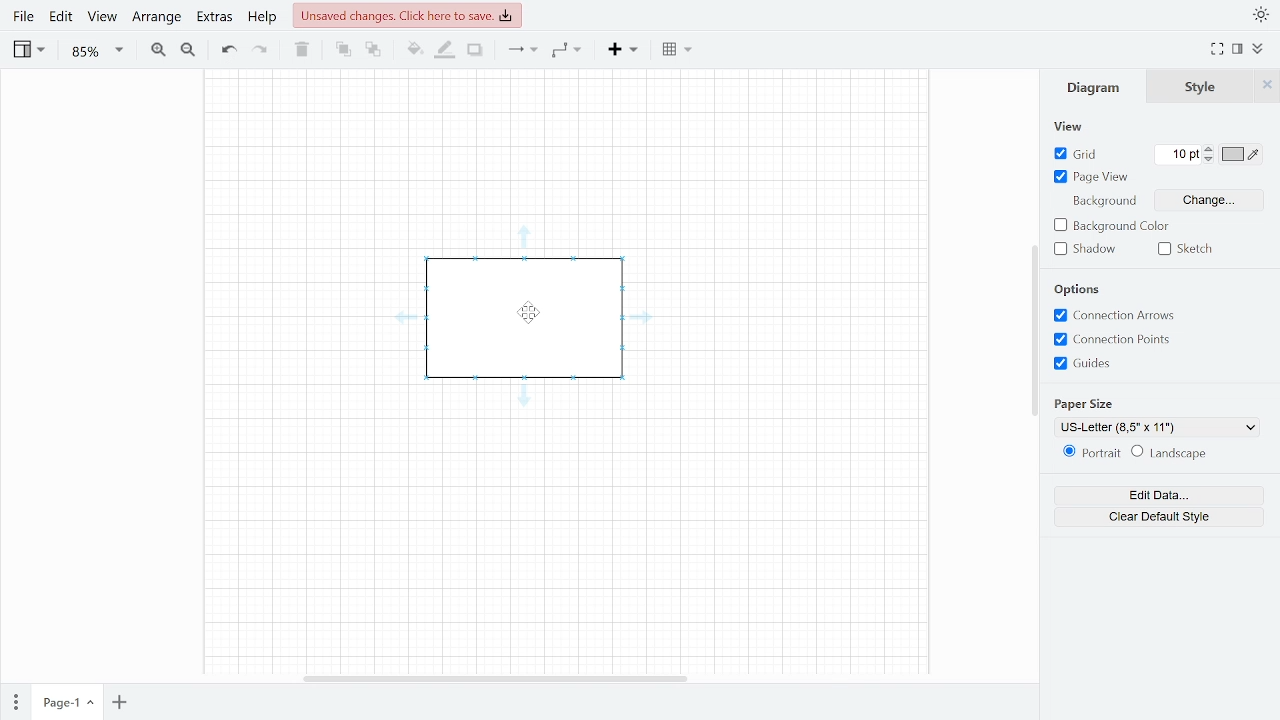 This screenshot has width=1280, height=720. I want to click on To front, so click(343, 50).